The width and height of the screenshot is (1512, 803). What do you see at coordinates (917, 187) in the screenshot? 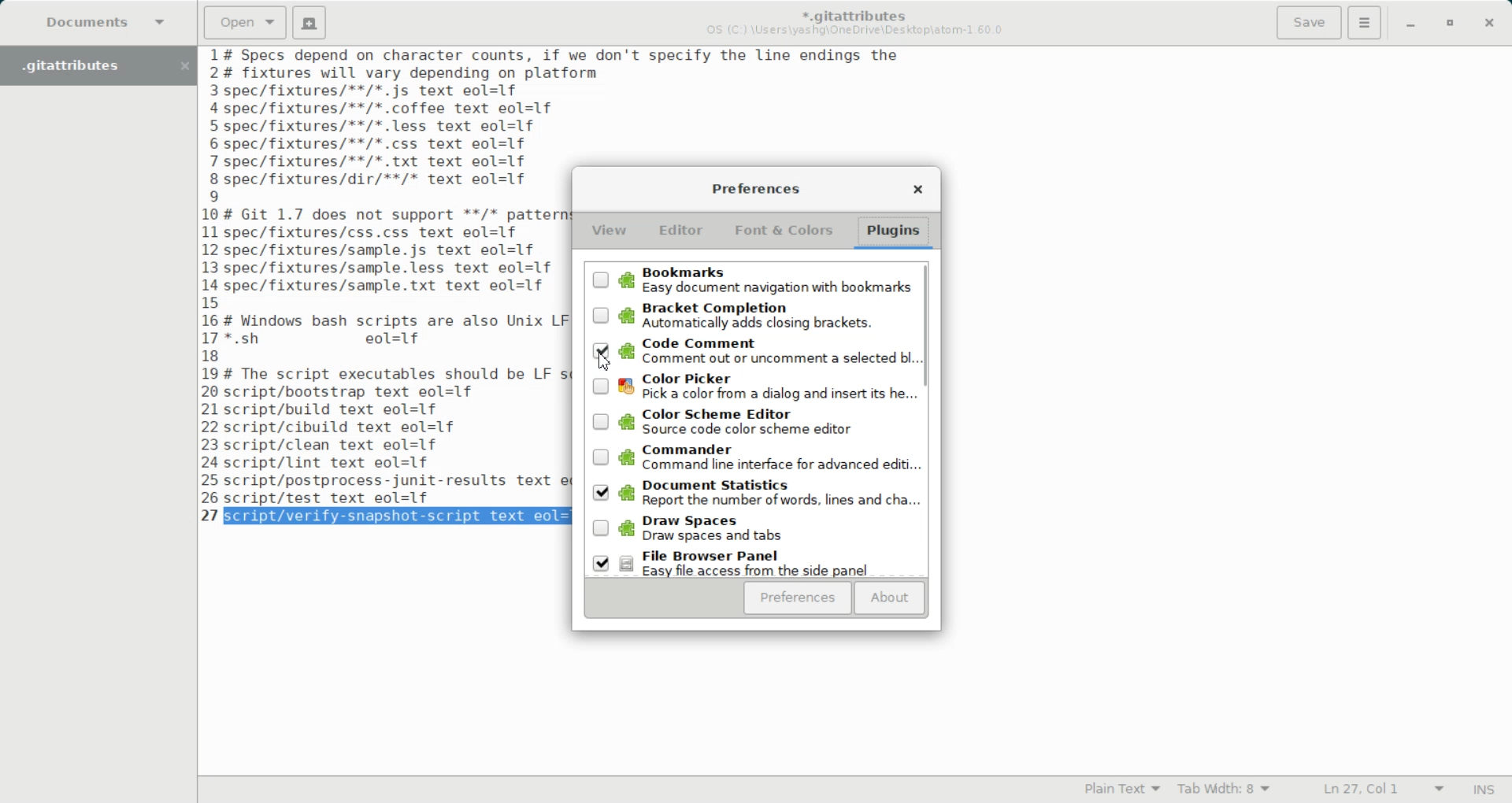
I see `Close` at bounding box center [917, 187].